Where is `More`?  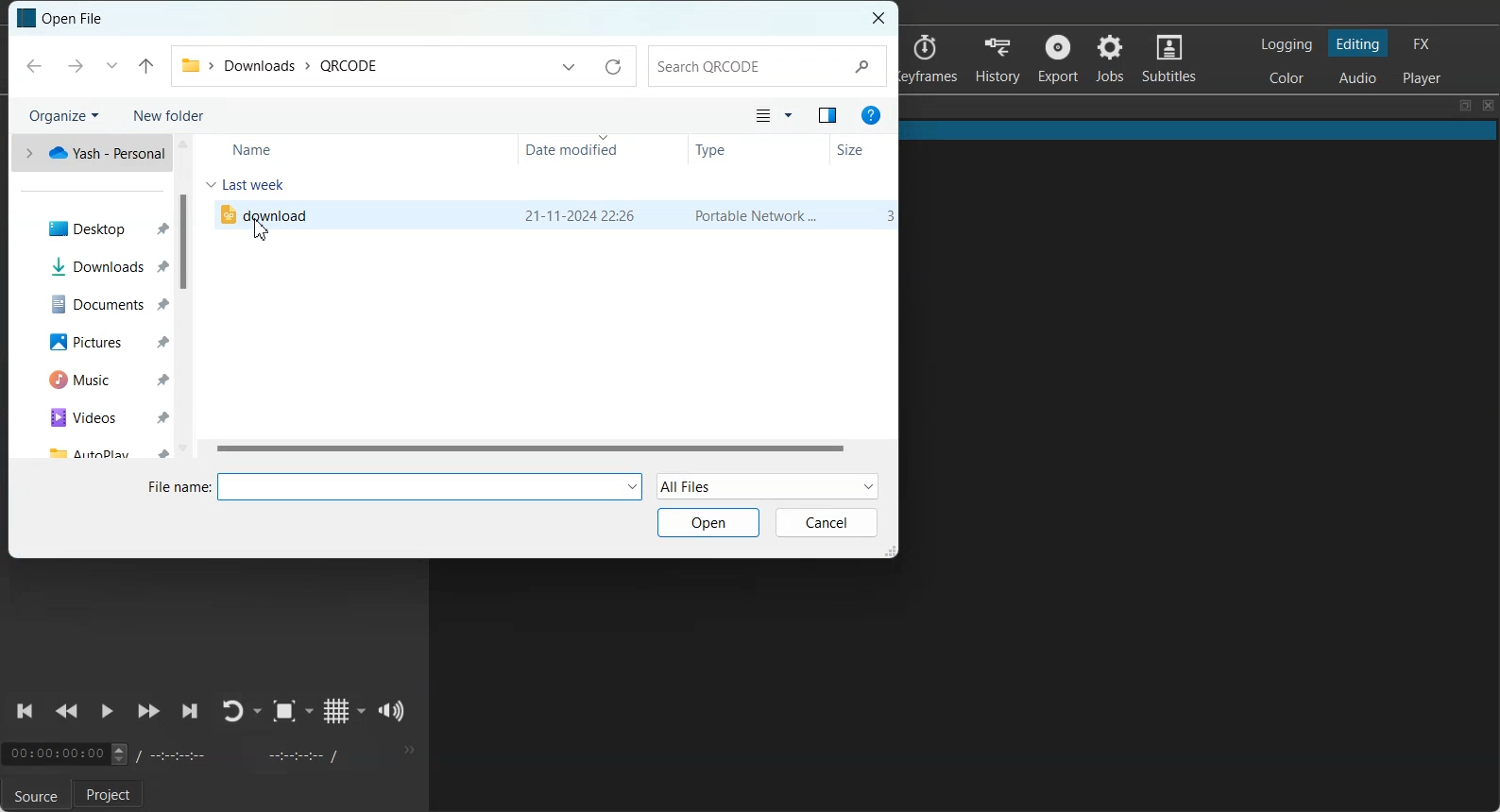
More is located at coordinates (407, 750).